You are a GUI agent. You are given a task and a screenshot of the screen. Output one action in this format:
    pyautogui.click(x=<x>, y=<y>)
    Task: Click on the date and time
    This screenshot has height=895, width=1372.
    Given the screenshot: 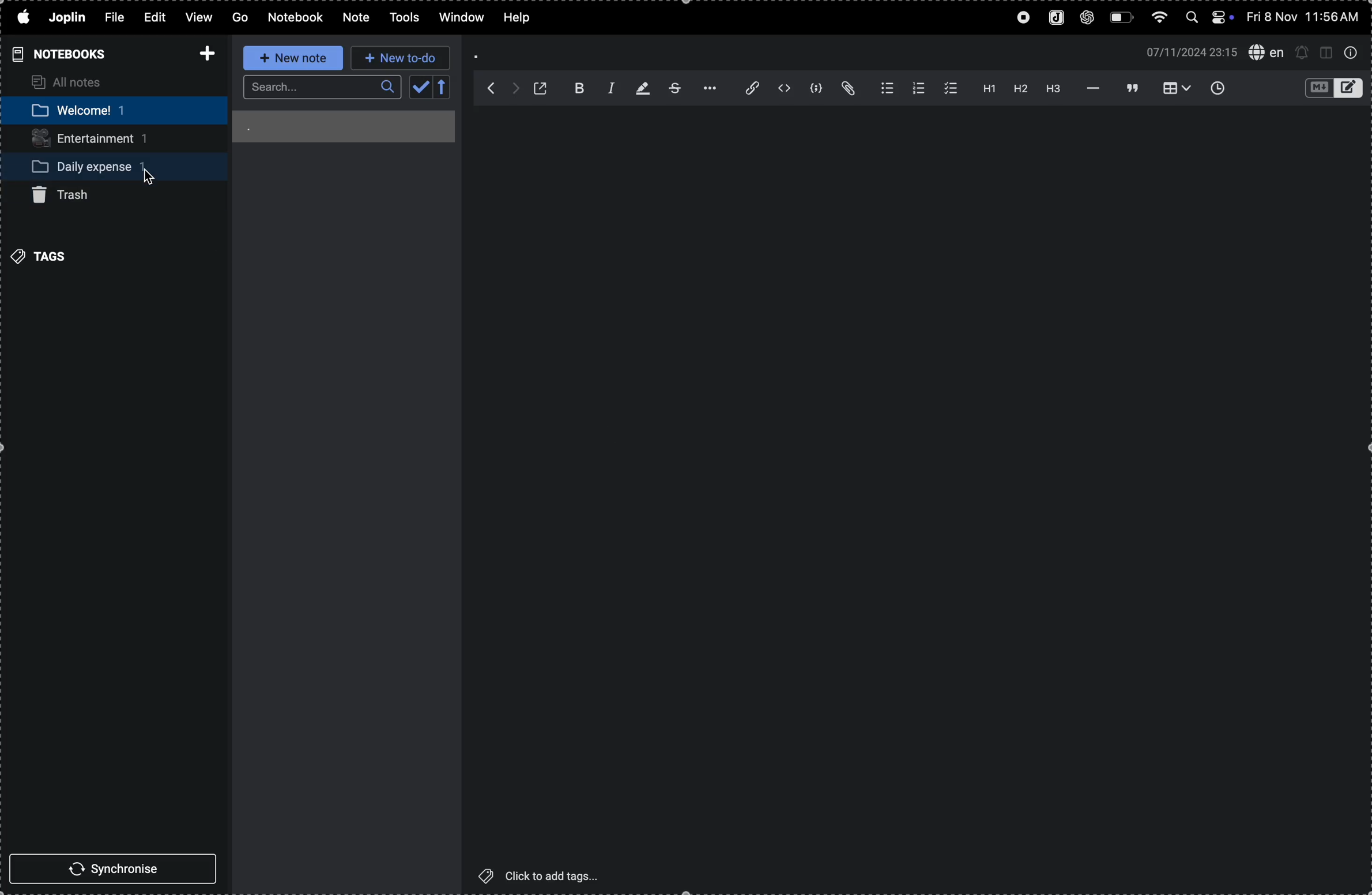 What is the action you would take?
    pyautogui.click(x=1305, y=17)
    